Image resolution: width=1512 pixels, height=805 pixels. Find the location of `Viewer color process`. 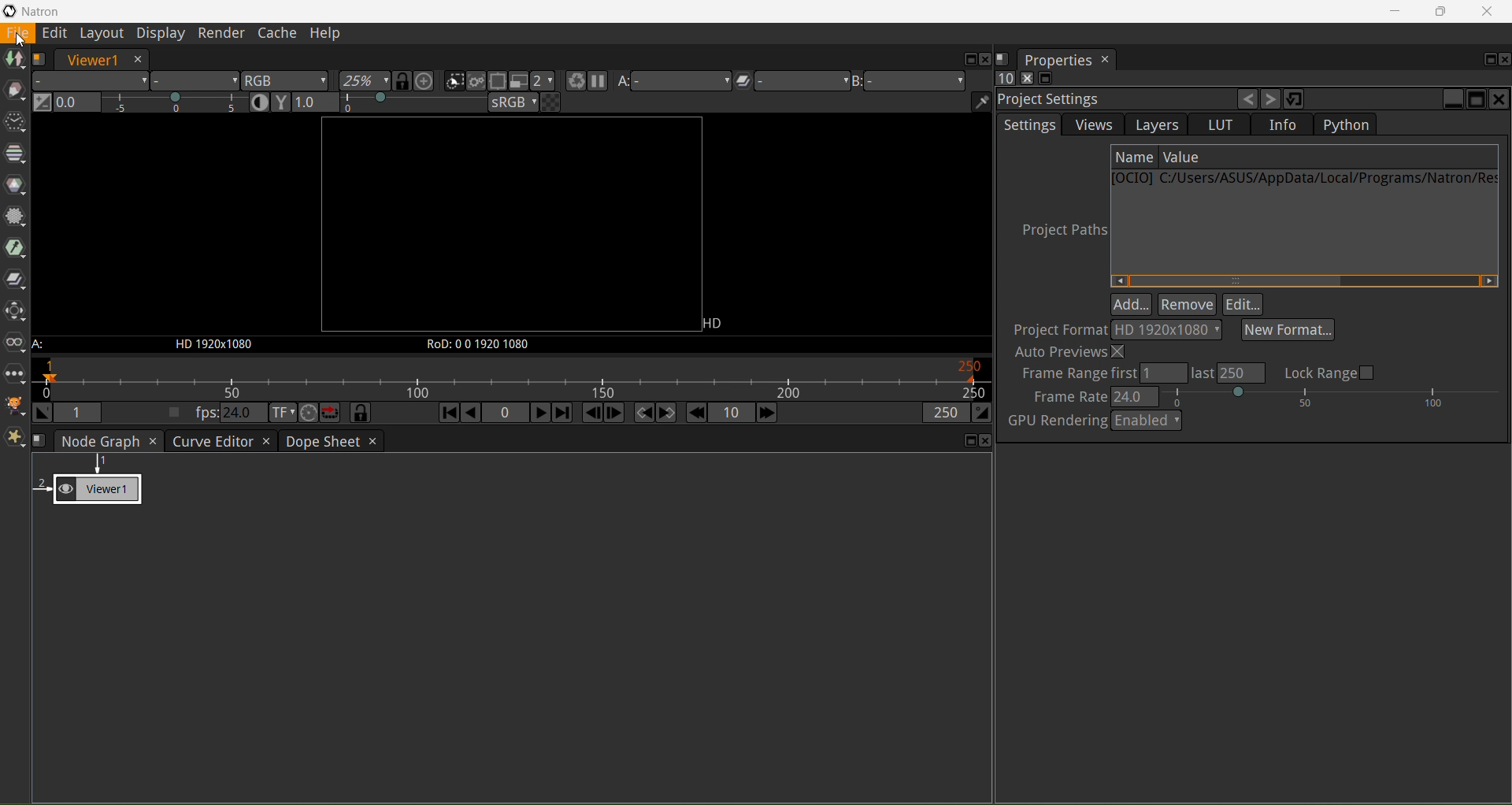

Viewer color process is located at coordinates (514, 103).